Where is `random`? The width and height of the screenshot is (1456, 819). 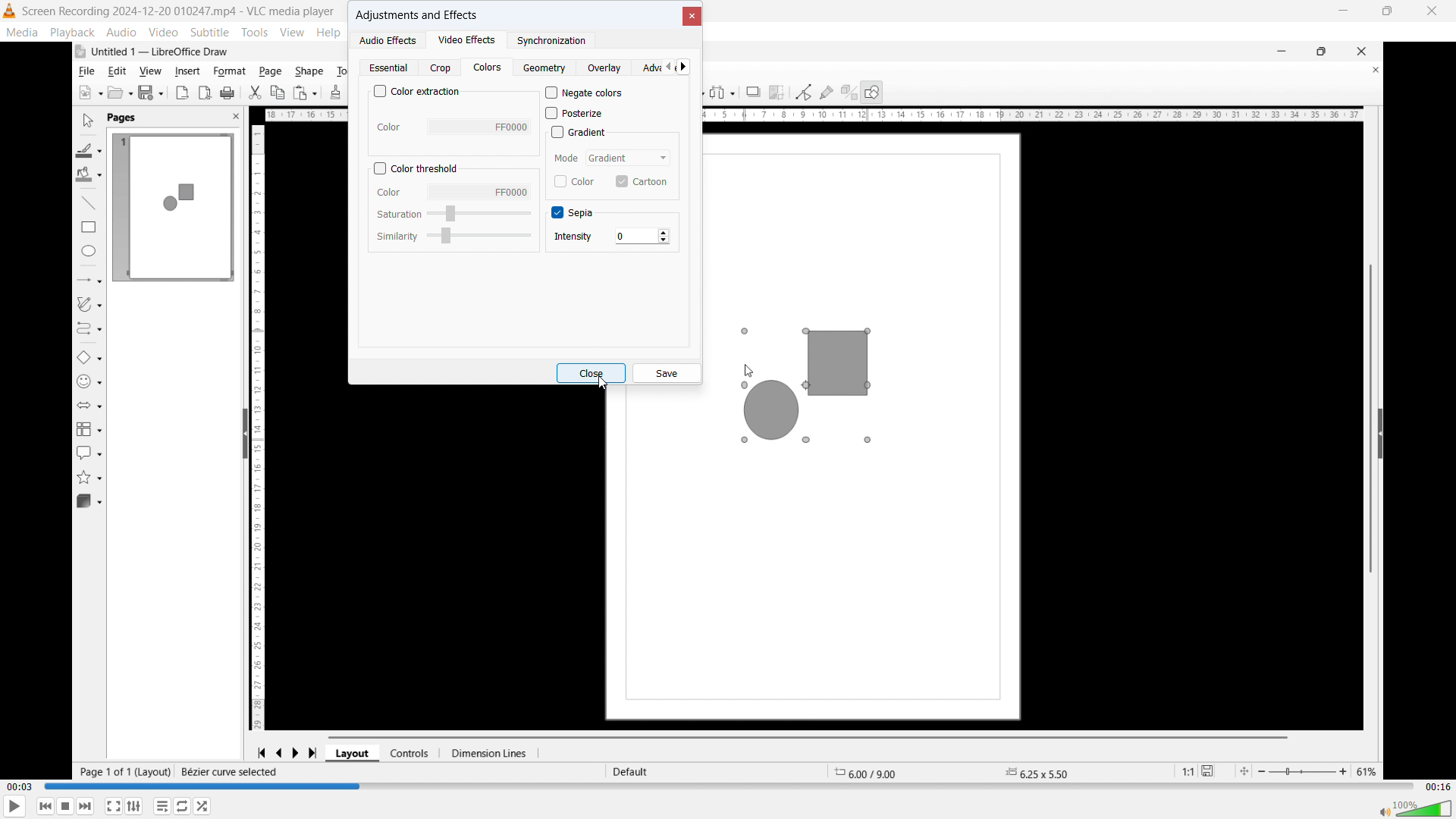
random is located at coordinates (204, 806).